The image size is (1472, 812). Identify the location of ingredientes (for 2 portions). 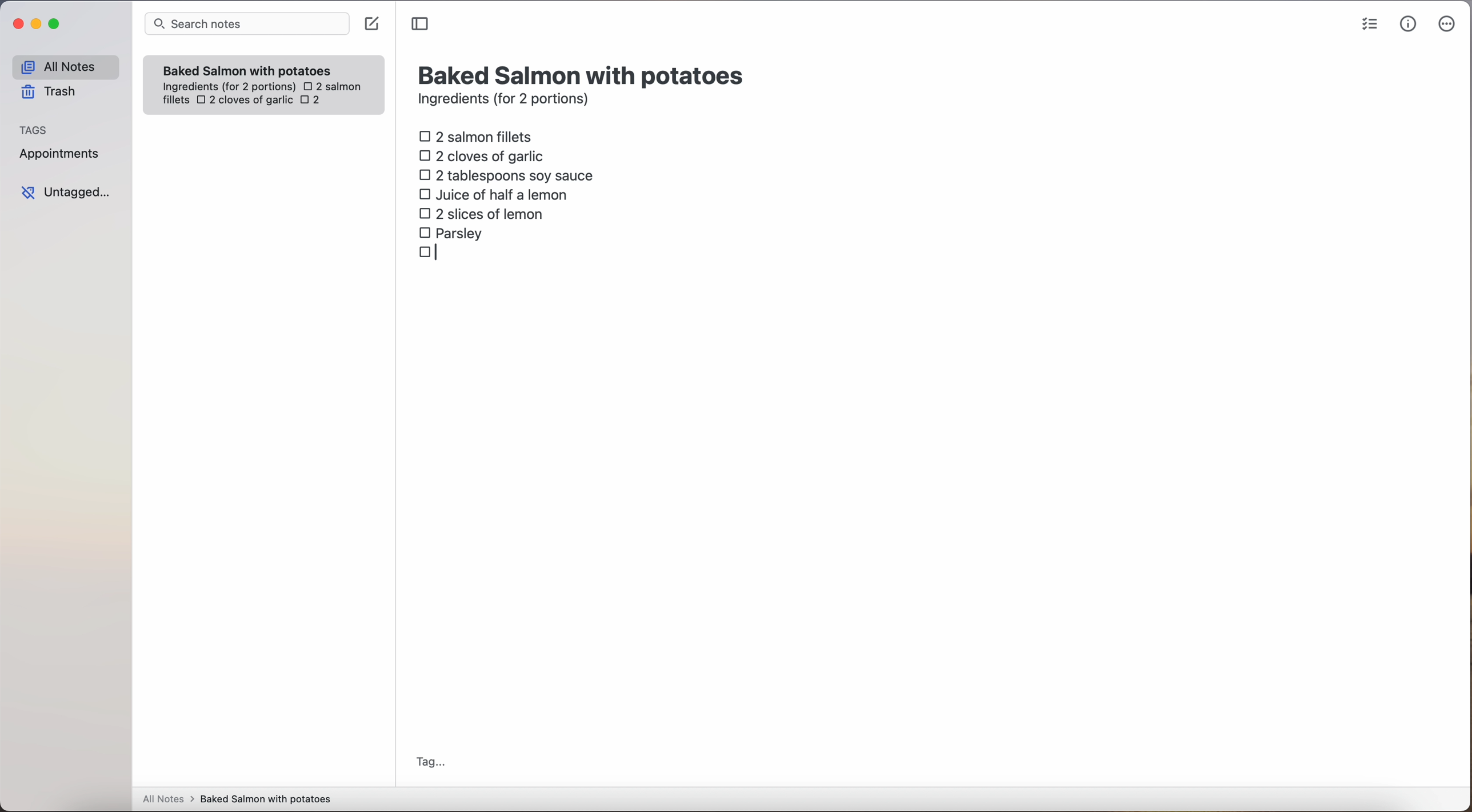
(227, 87).